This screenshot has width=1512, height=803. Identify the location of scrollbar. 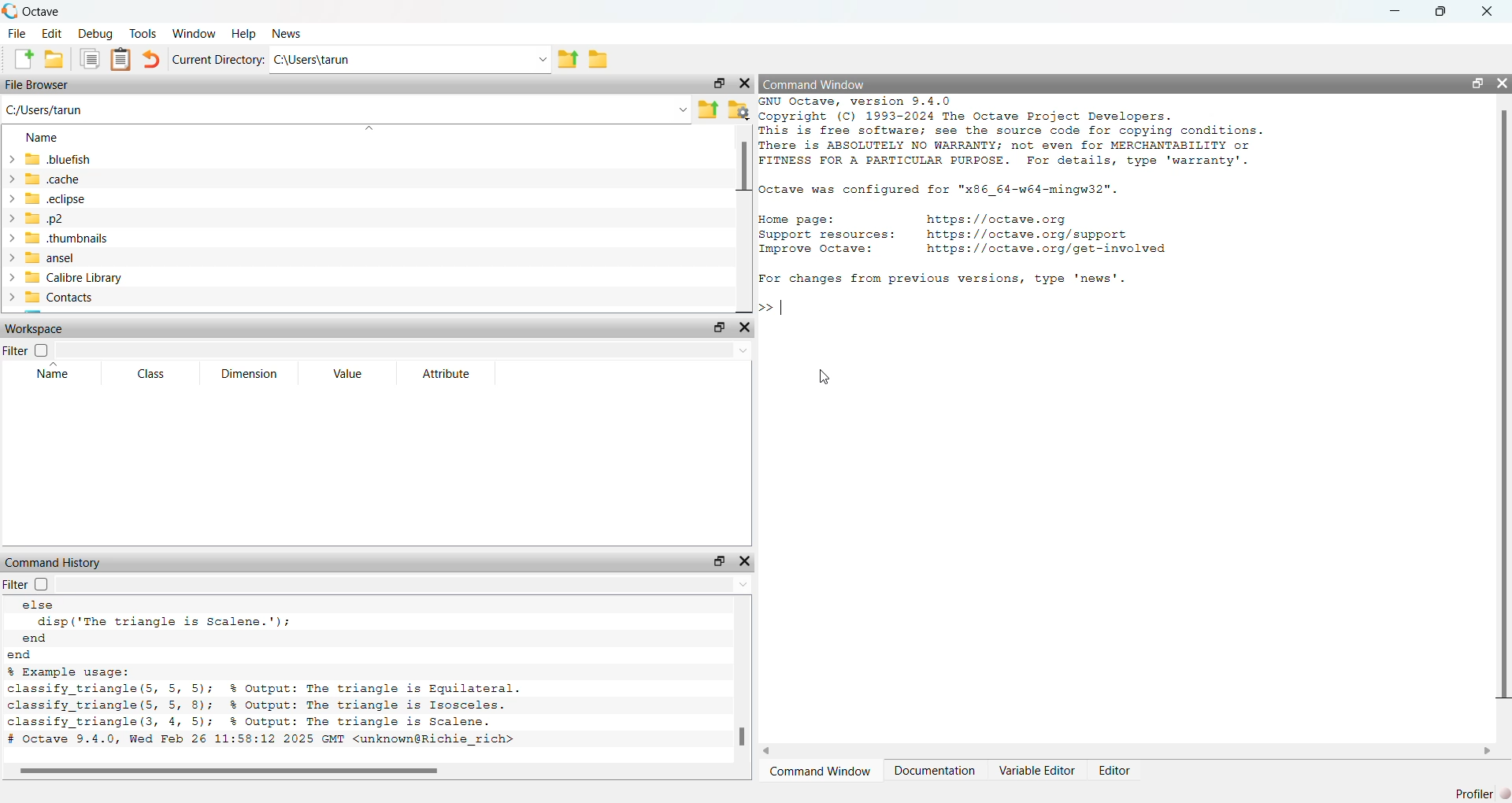
(744, 166).